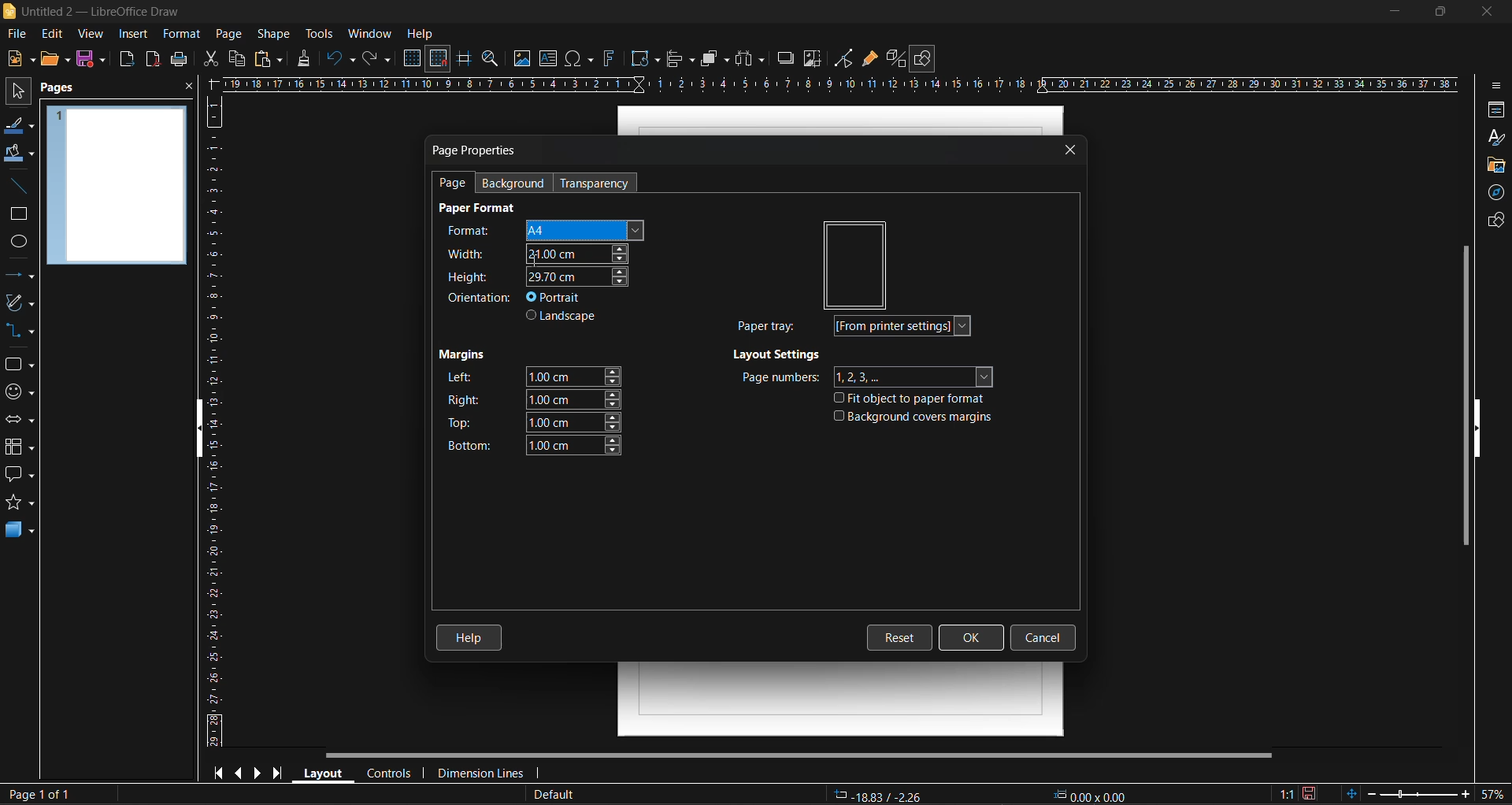 The width and height of the screenshot is (1512, 805). I want to click on top, so click(533, 424).